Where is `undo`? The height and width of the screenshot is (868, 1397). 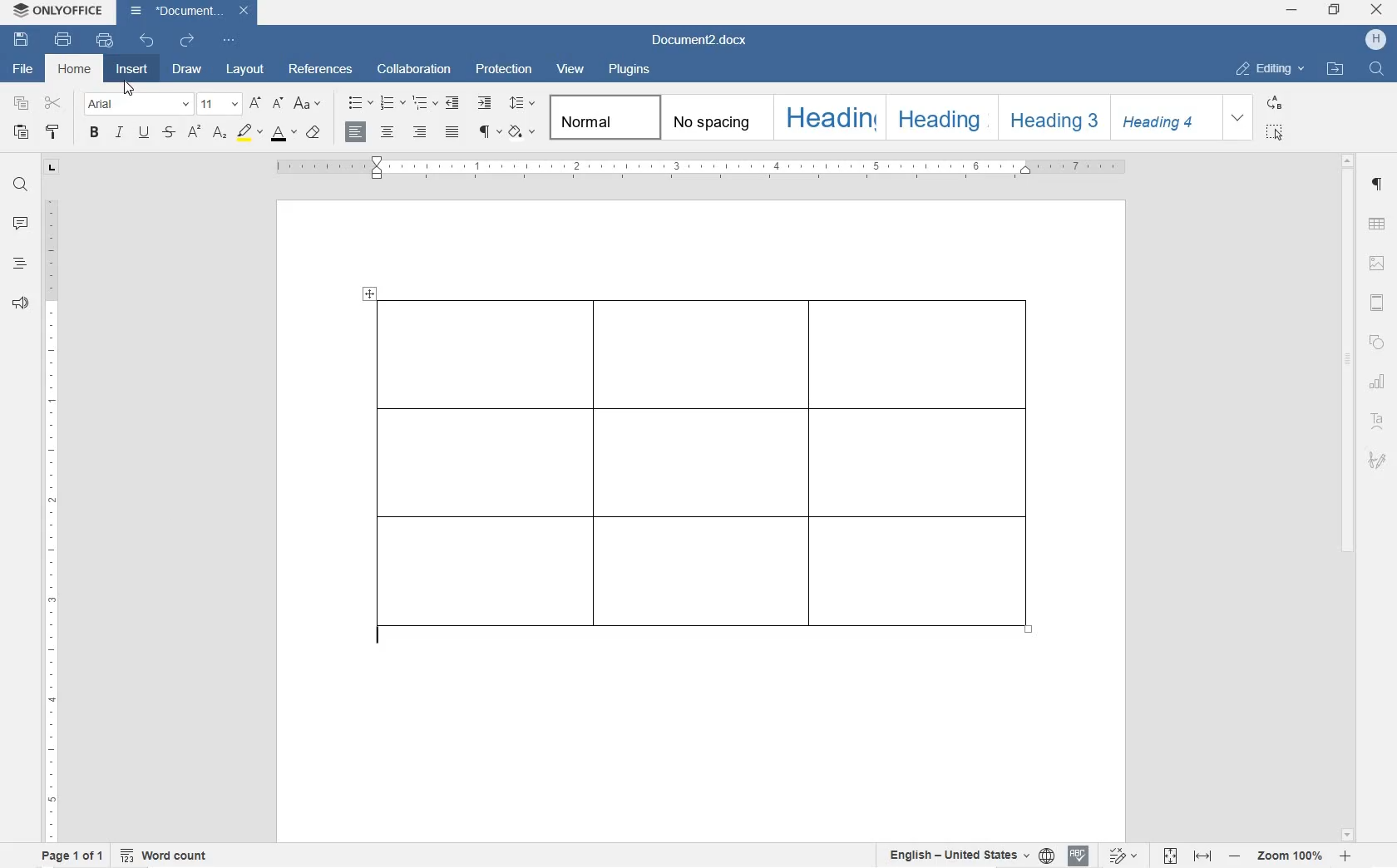 undo is located at coordinates (146, 41).